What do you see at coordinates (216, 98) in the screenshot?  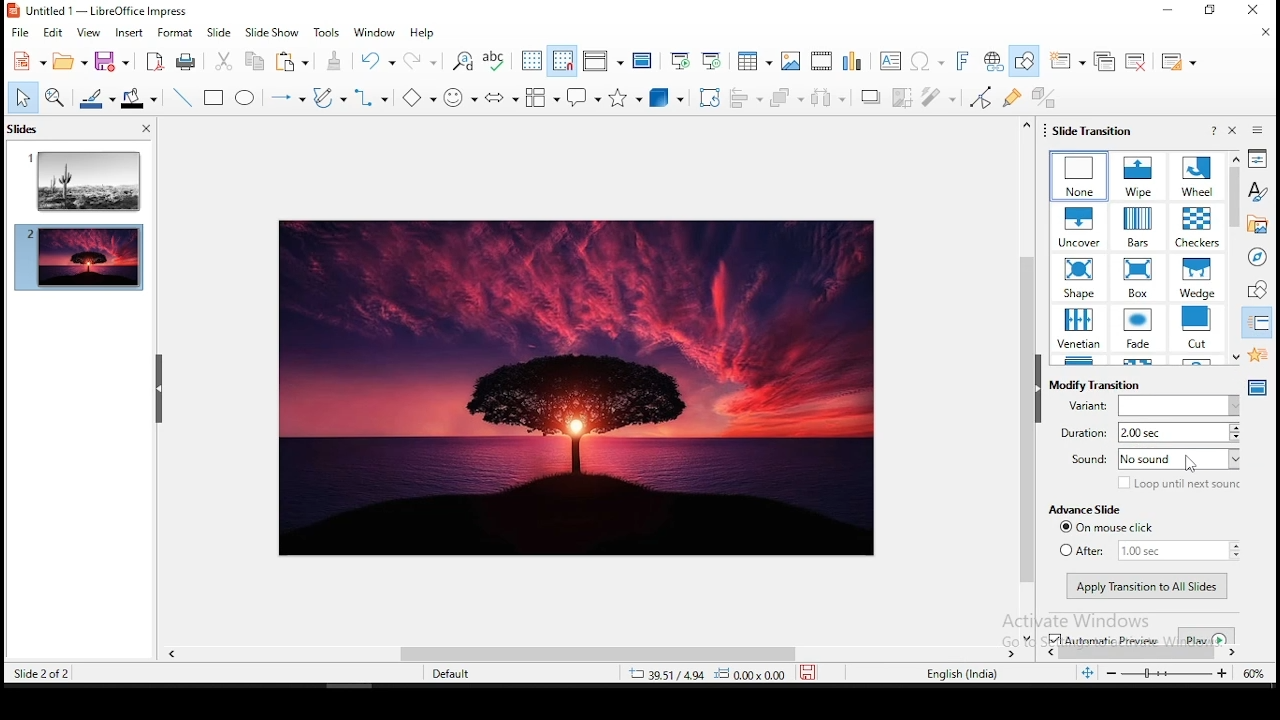 I see `rectangle` at bounding box center [216, 98].